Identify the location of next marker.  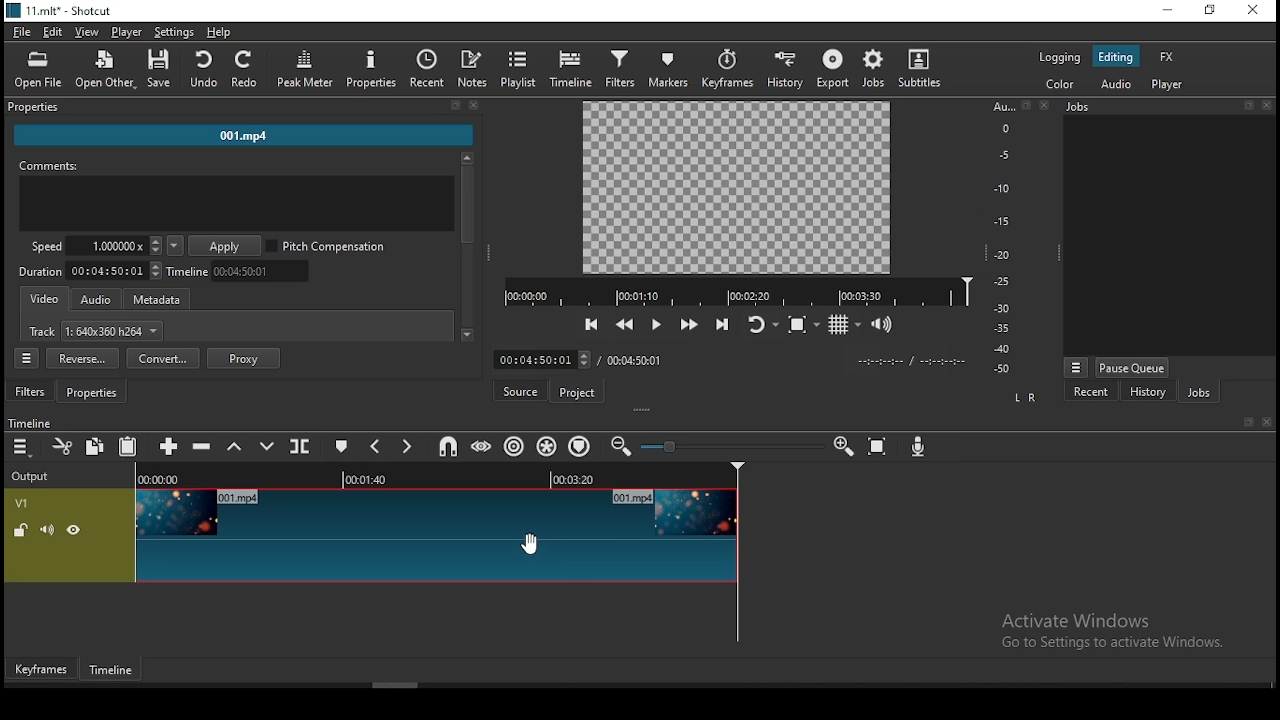
(409, 446).